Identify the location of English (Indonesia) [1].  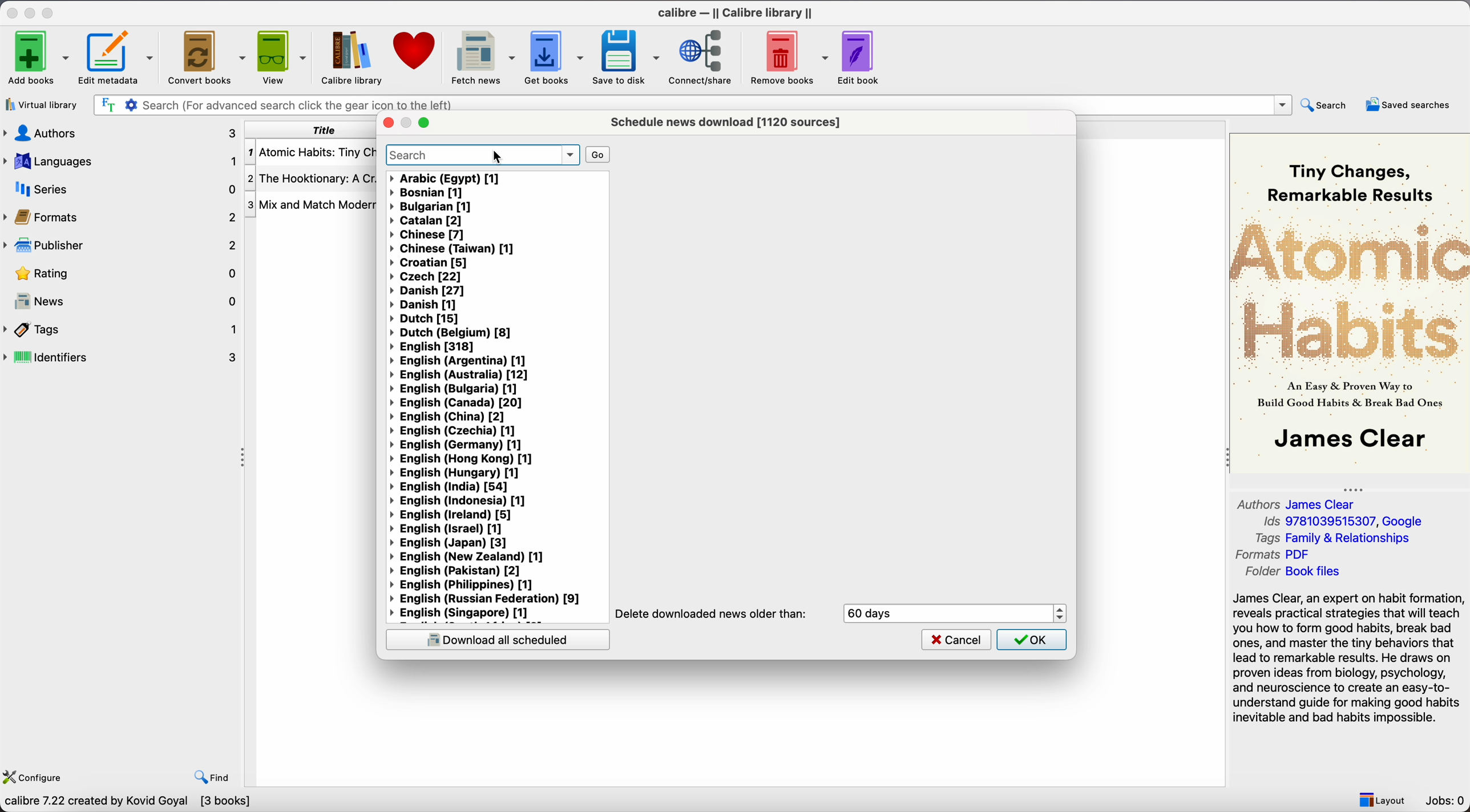
(460, 502).